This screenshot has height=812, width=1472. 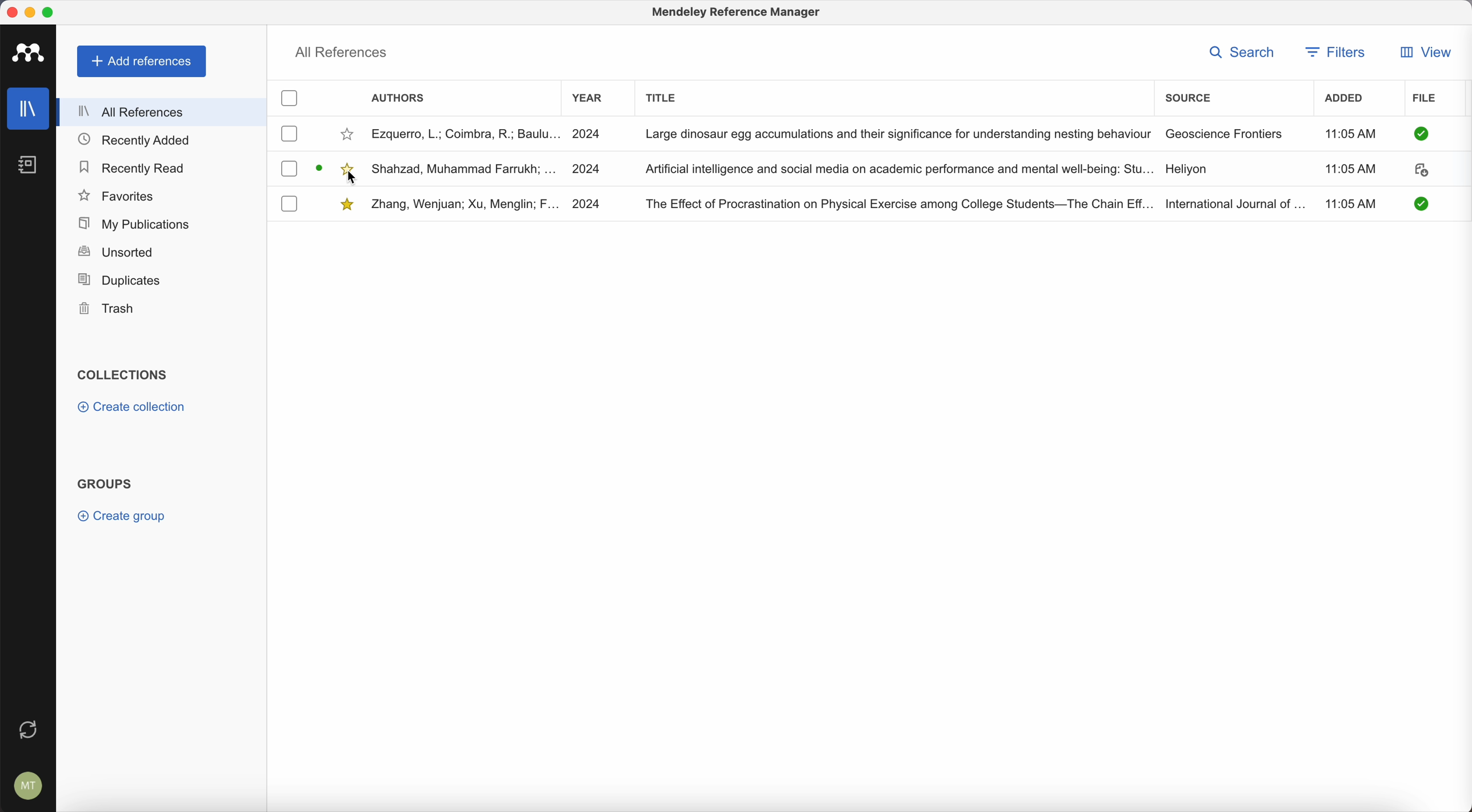 I want to click on notebook, so click(x=34, y=166).